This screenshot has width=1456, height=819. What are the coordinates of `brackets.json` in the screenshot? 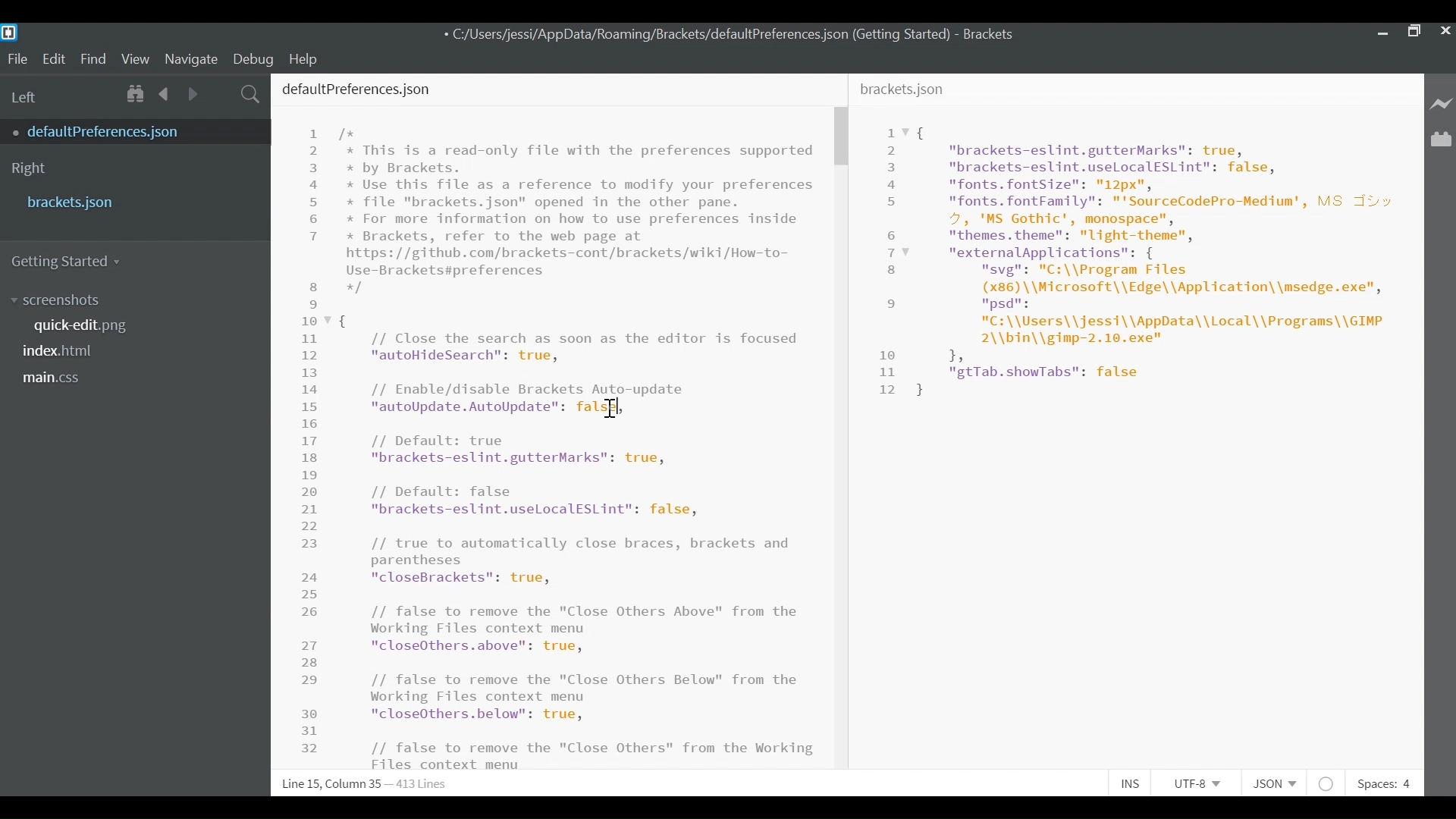 It's located at (131, 202).